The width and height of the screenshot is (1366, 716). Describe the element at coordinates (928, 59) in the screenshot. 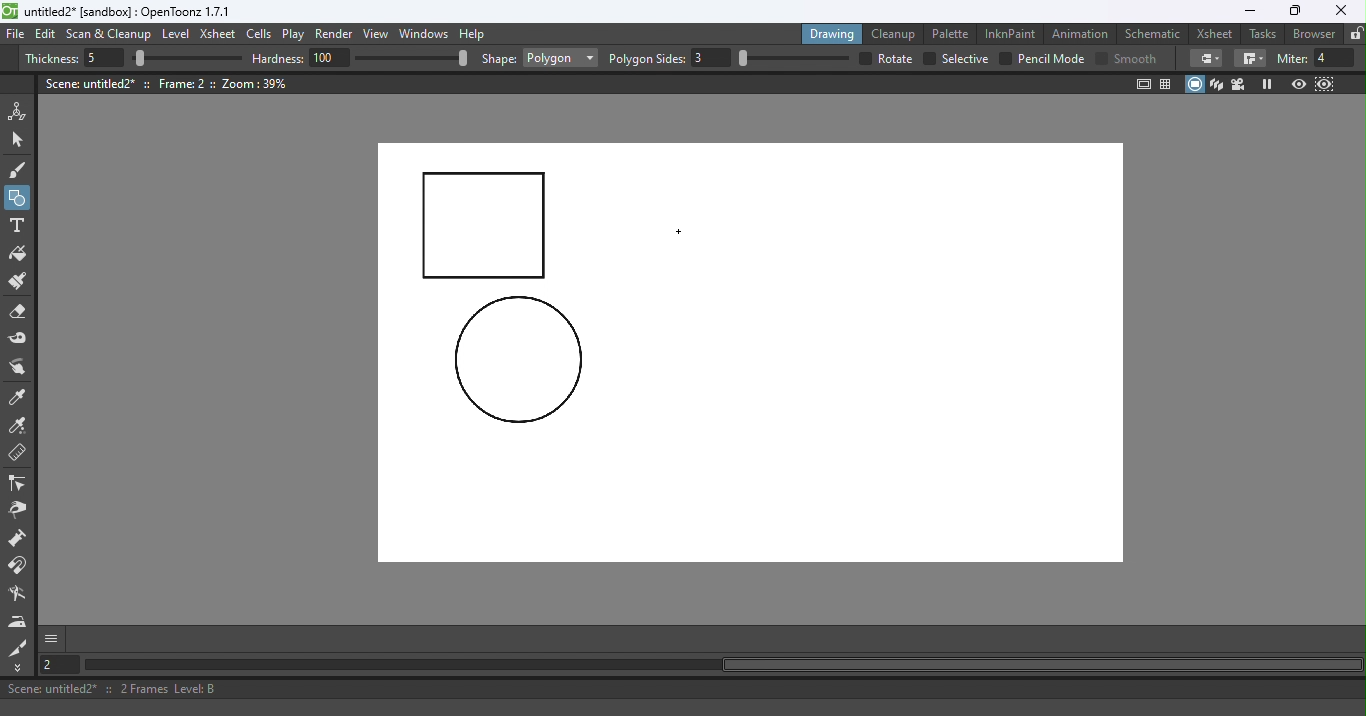

I see `checkbox` at that location.